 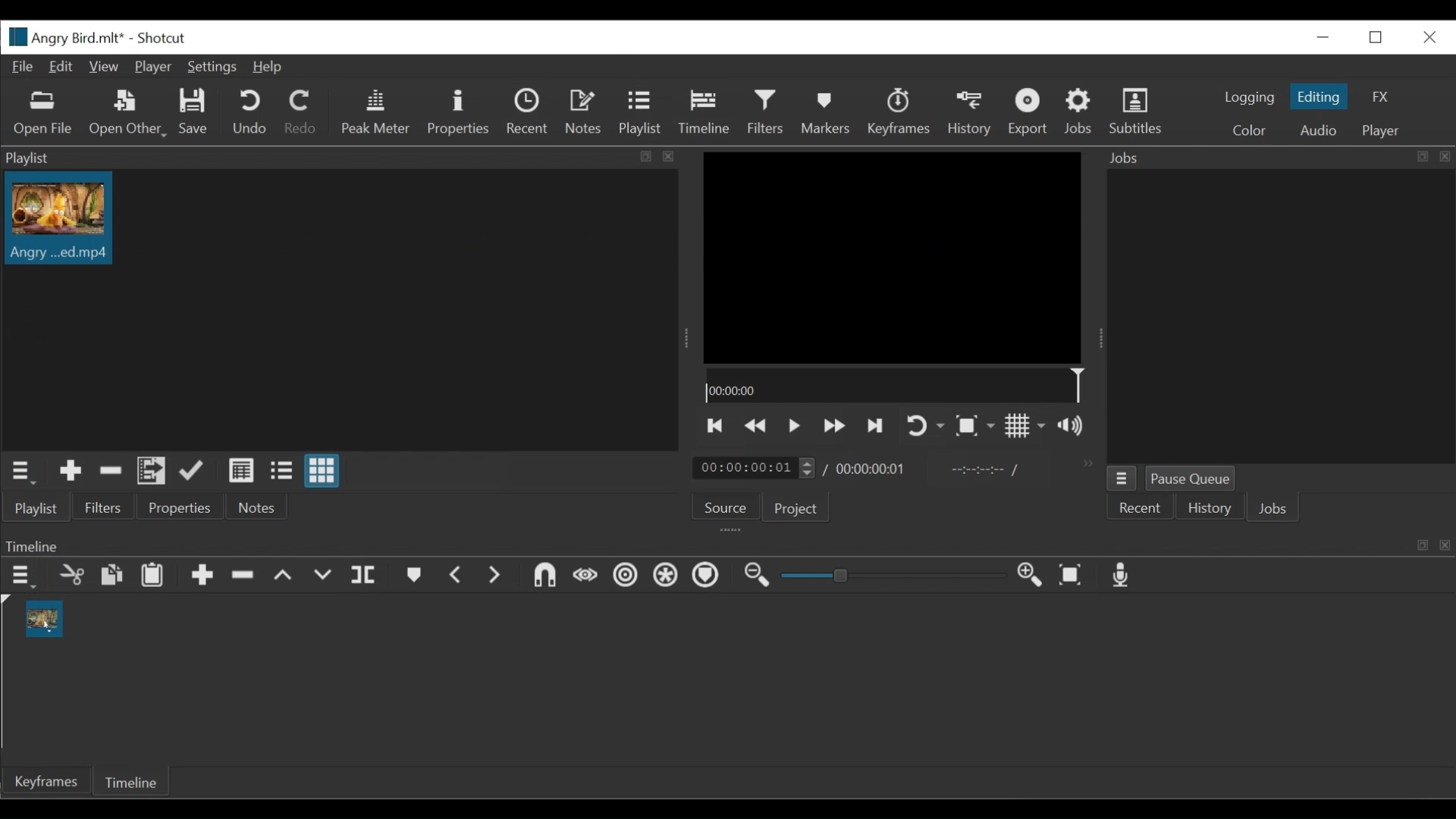 I want to click on Notes, so click(x=260, y=507).